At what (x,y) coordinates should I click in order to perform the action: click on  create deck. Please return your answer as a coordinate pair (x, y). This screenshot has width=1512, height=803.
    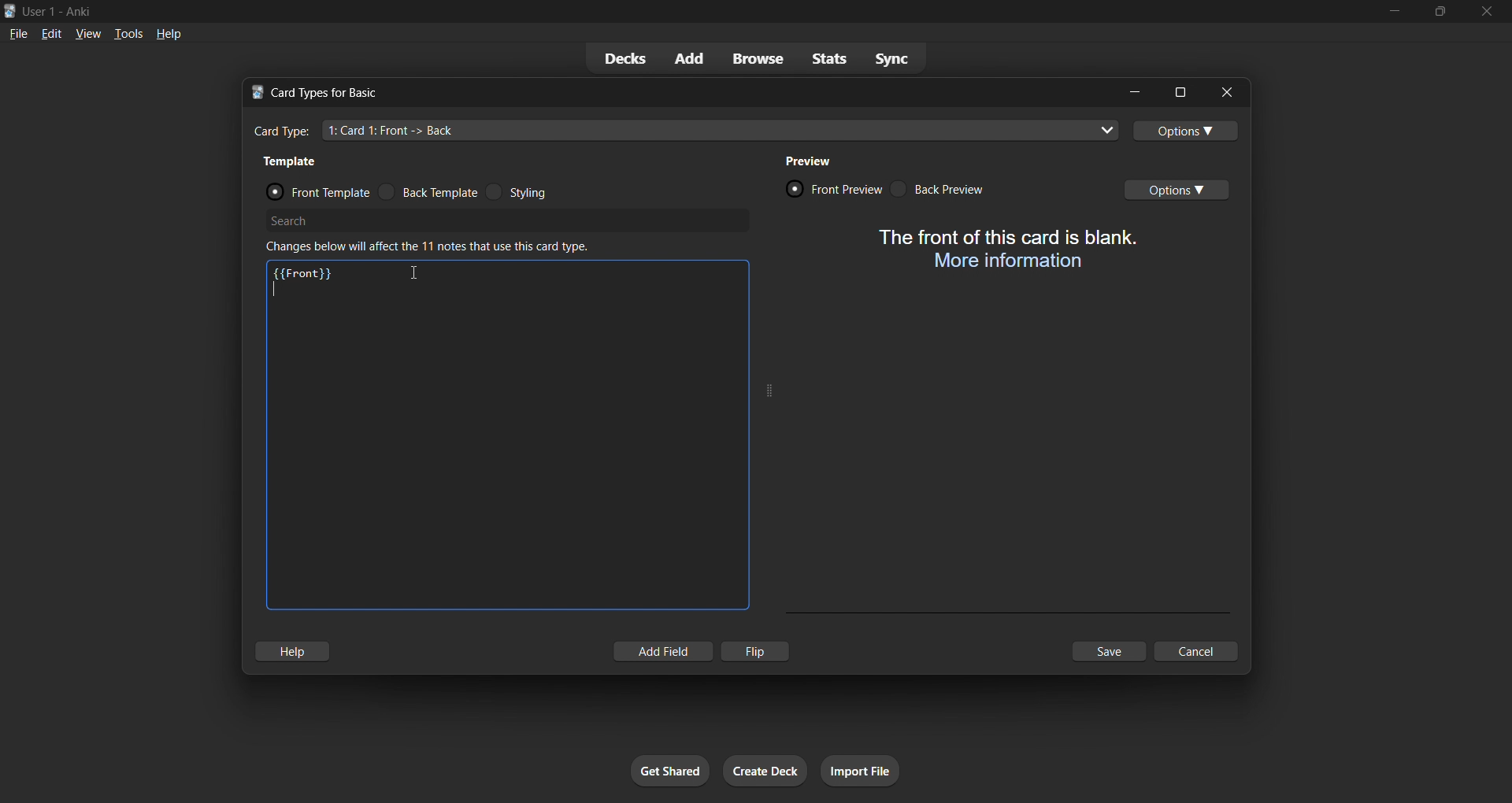
    Looking at the image, I should click on (765, 770).